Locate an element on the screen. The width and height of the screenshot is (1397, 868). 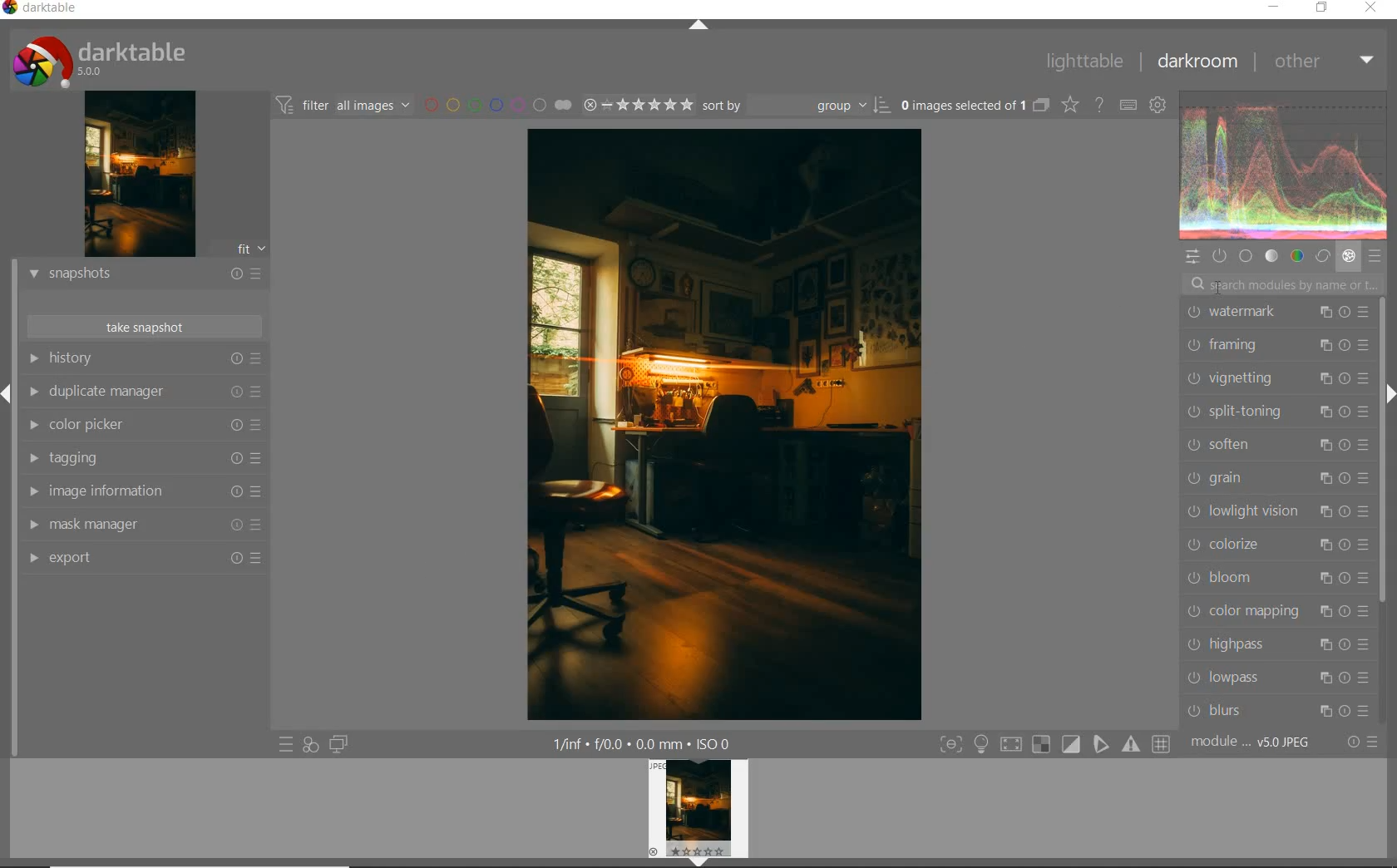
other is located at coordinates (1323, 62).